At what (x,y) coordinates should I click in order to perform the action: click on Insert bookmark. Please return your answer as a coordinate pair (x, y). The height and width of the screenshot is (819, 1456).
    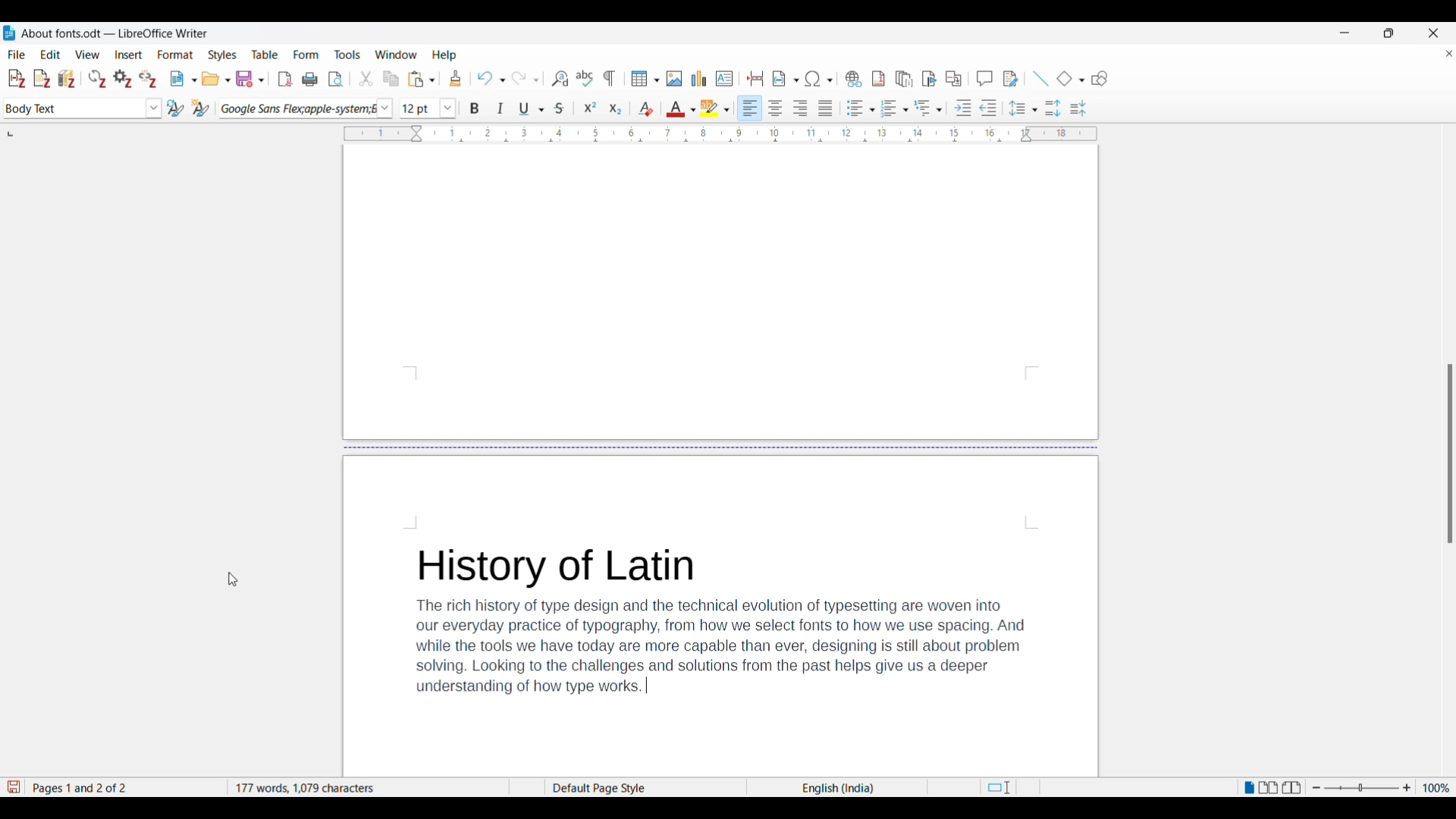
    Looking at the image, I should click on (930, 80).